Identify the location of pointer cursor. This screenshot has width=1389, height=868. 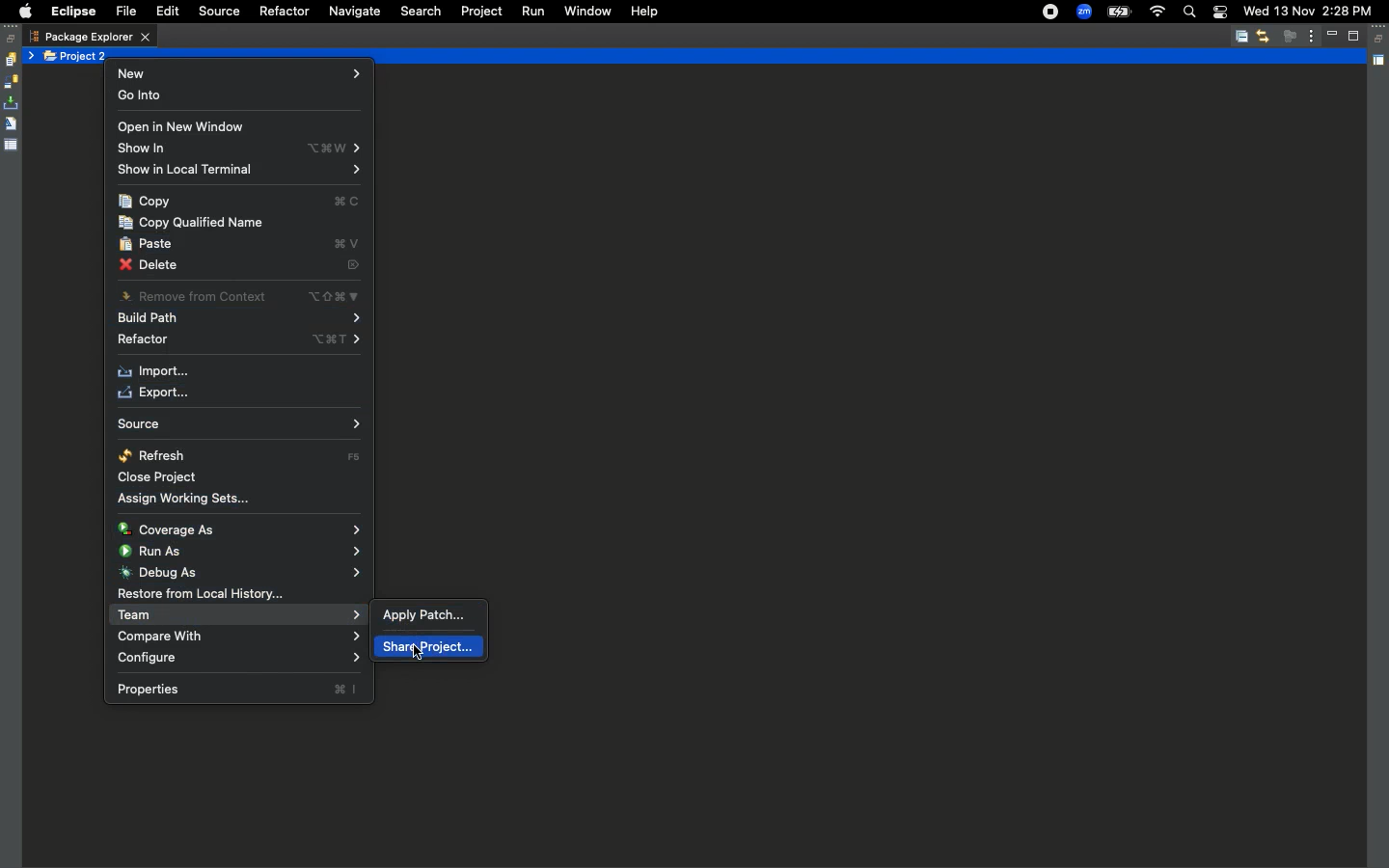
(420, 652).